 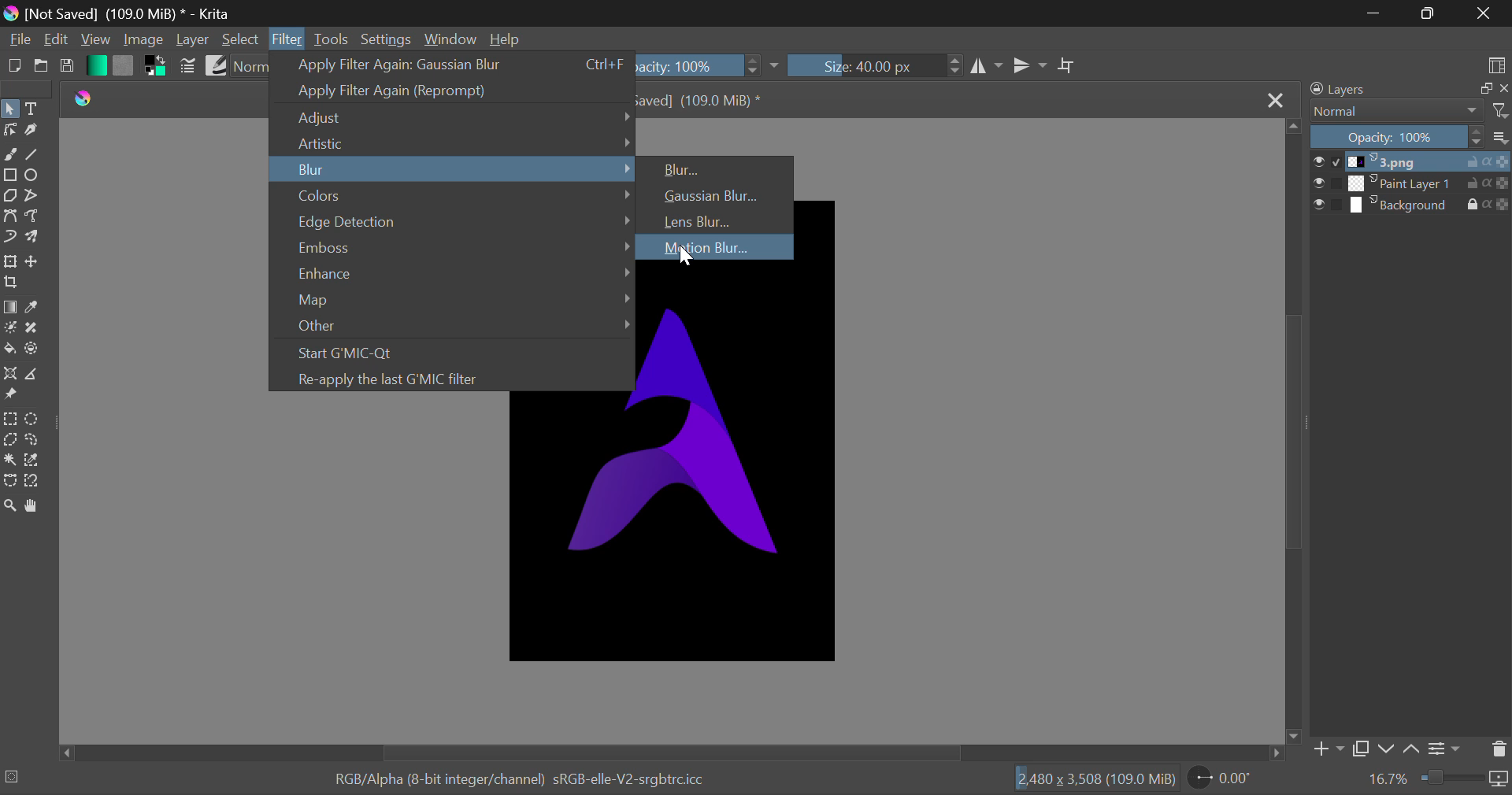 What do you see at coordinates (1223, 780) in the screenshot?
I see `0.00` at bounding box center [1223, 780].